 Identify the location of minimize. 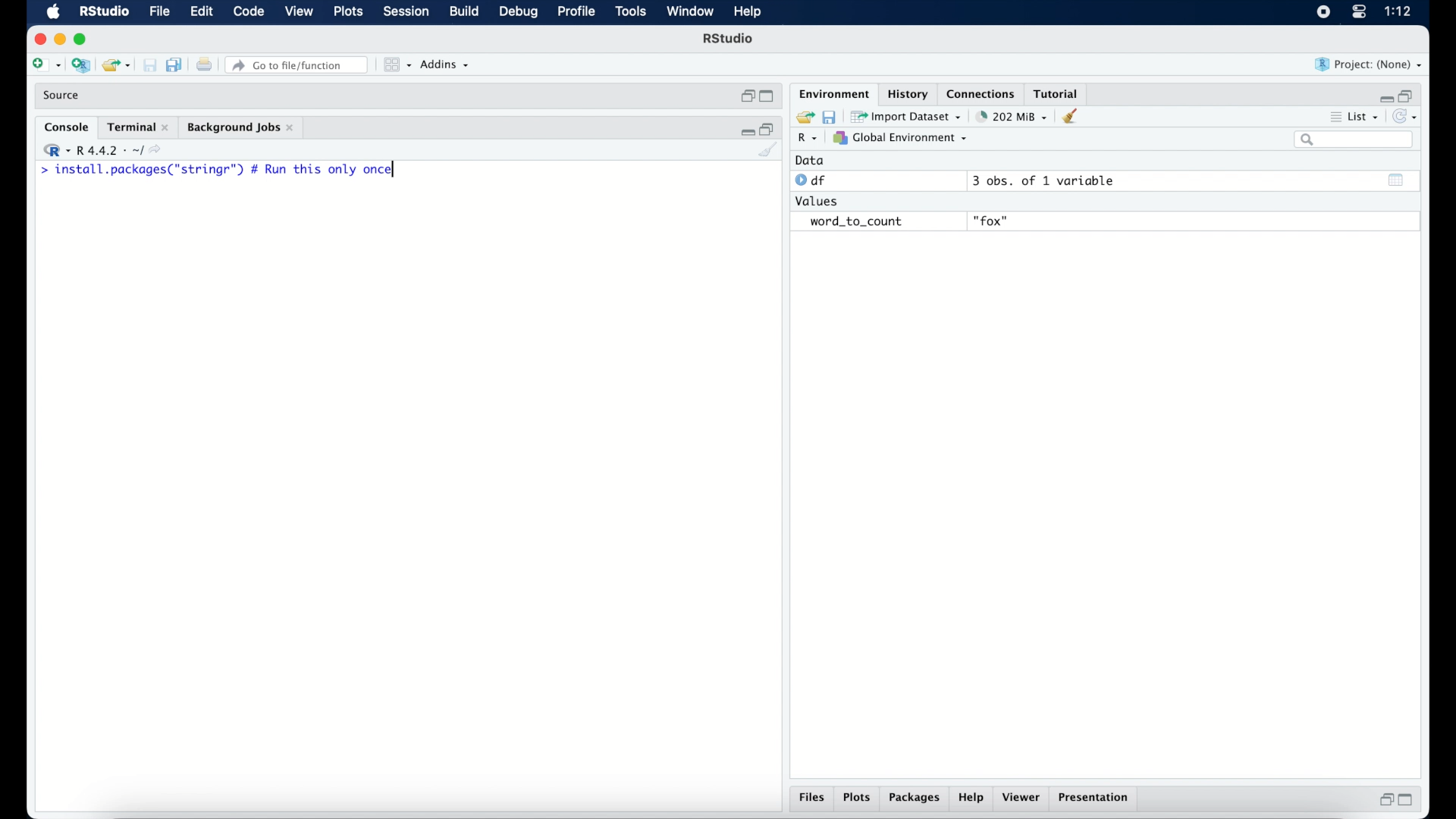
(59, 39).